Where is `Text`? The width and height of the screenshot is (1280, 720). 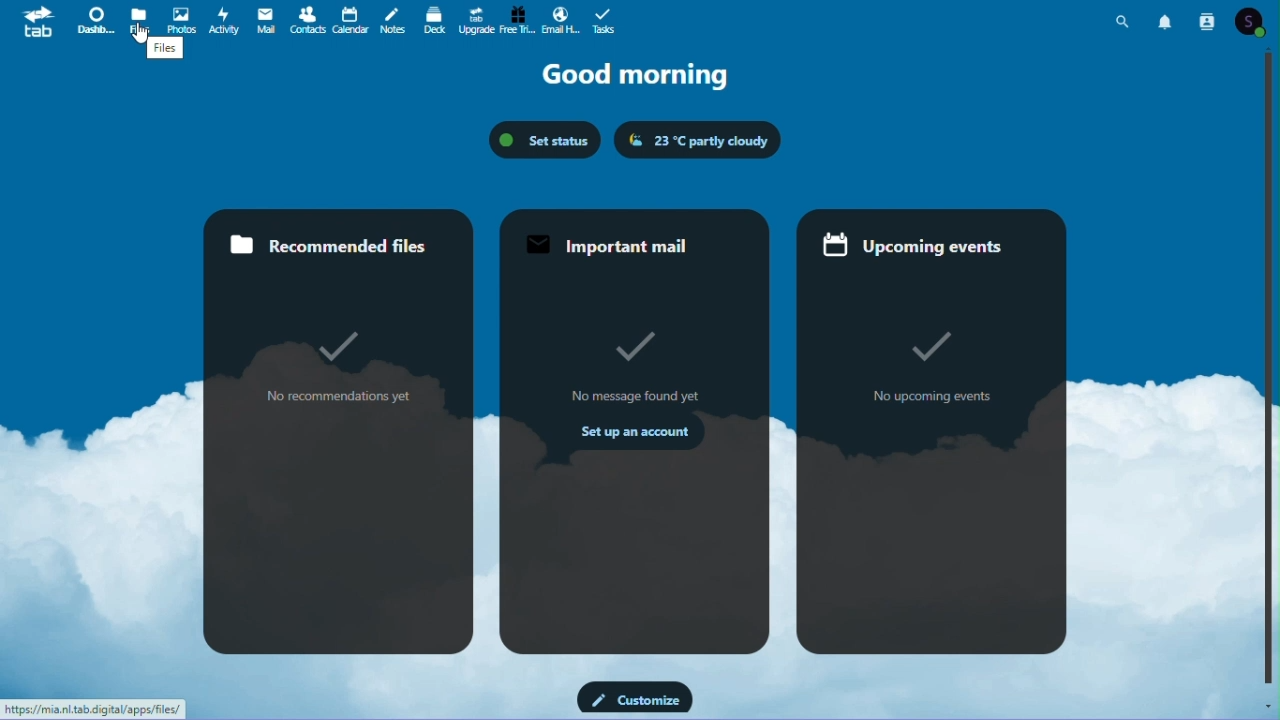
Text is located at coordinates (166, 52).